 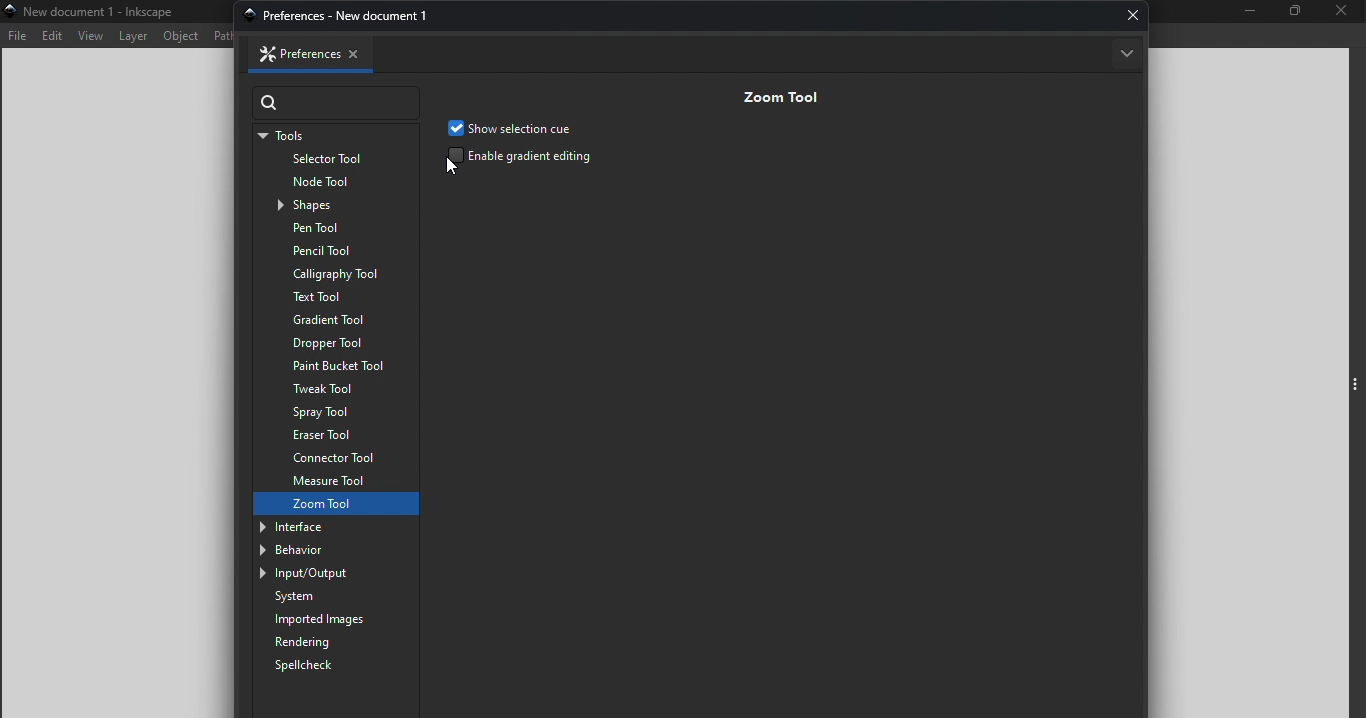 I want to click on Spray tool, so click(x=338, y=411).